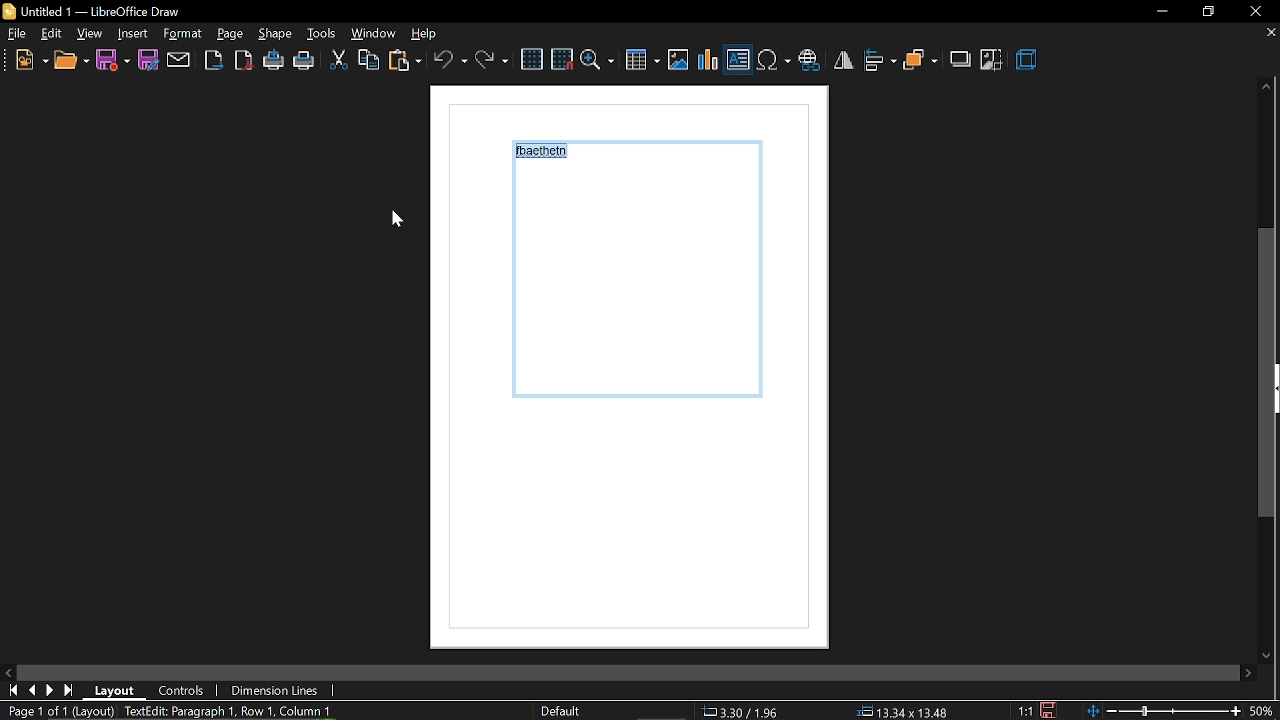 The width and height of the screenshot is (1280, 720). What do you see at coordinates (52, 34) in the screenshot?
I see `edit` at bounding box center [52, 34].